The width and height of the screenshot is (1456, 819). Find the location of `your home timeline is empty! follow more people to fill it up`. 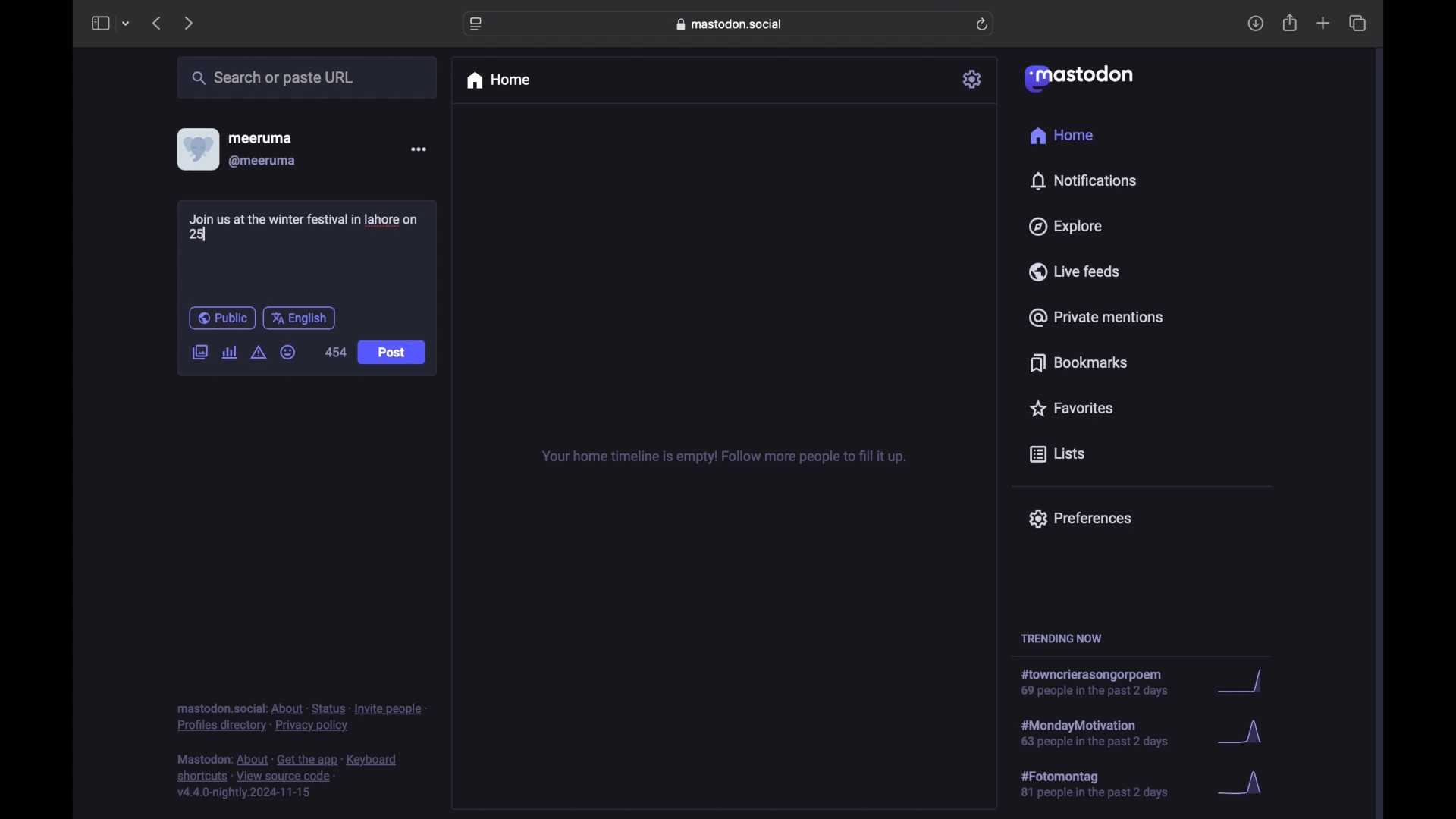

your home timeline is empty! follow more people to fill it up is located at coordinates (723, 457).